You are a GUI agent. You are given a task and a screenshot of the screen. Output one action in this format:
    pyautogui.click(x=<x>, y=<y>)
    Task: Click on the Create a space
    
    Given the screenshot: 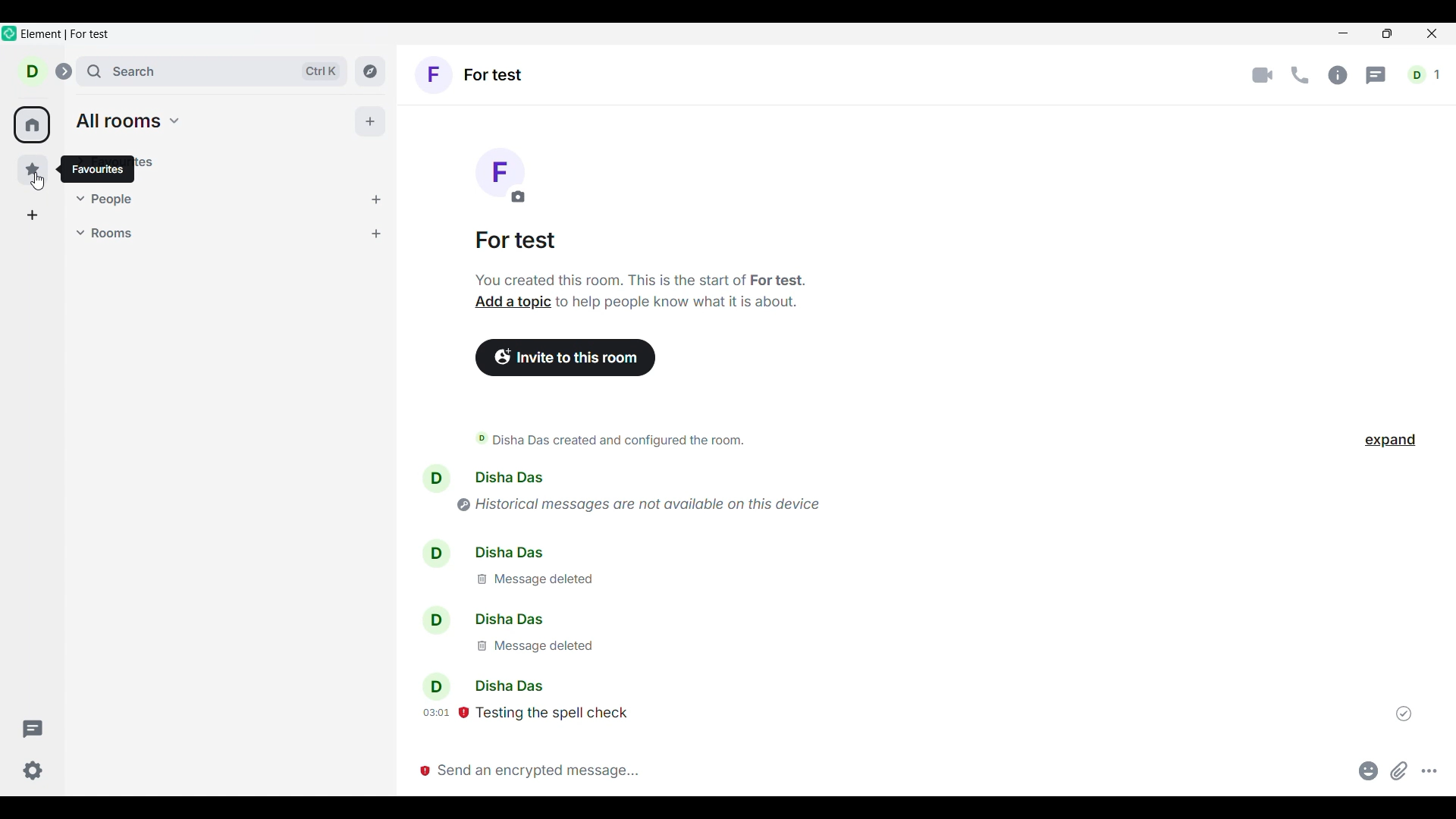 What is the action you would take?
    pyautogui.click(x=32, y=215)
    